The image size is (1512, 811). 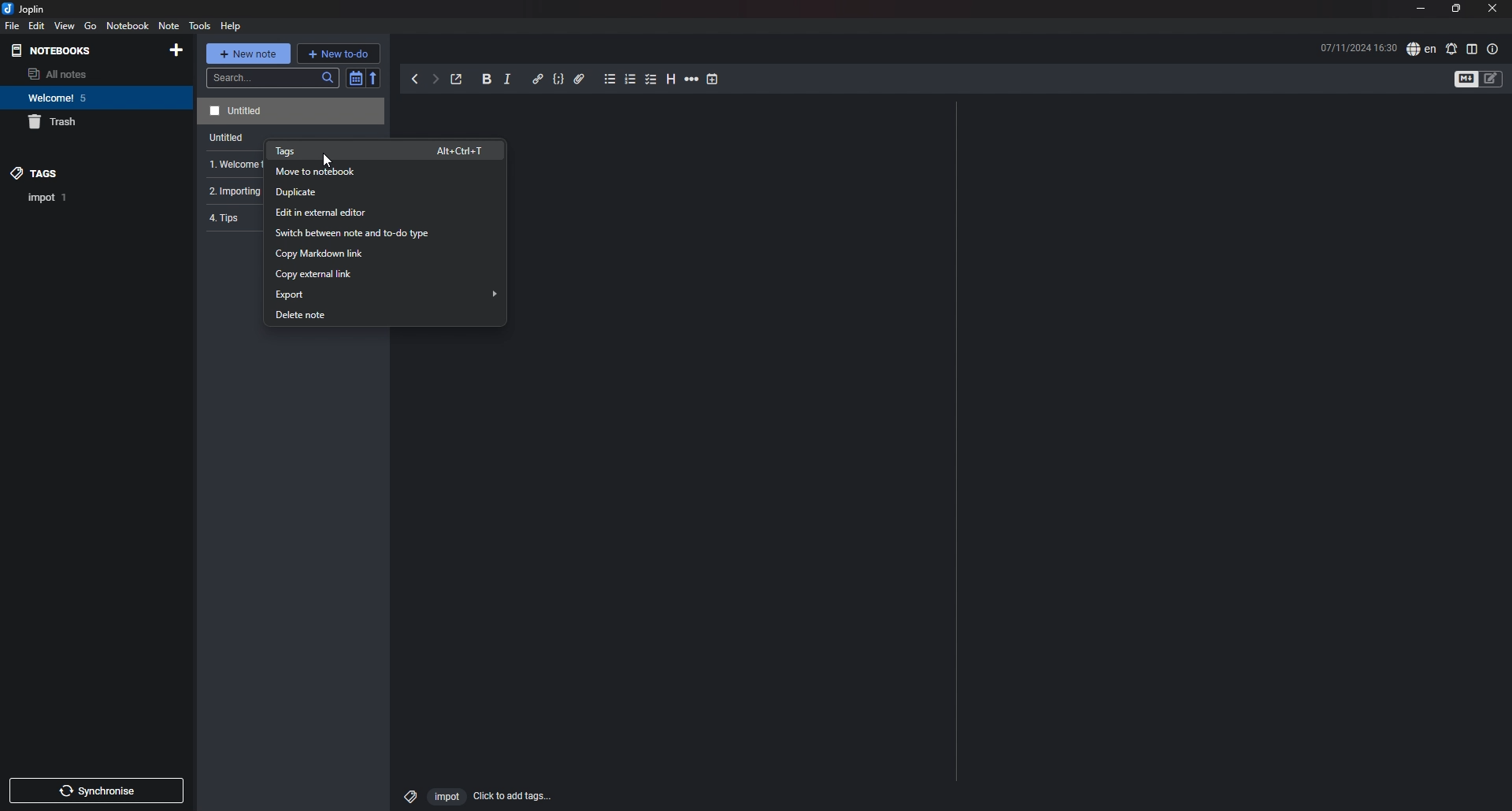 I want to click on add time, so click(x=713, y=79).